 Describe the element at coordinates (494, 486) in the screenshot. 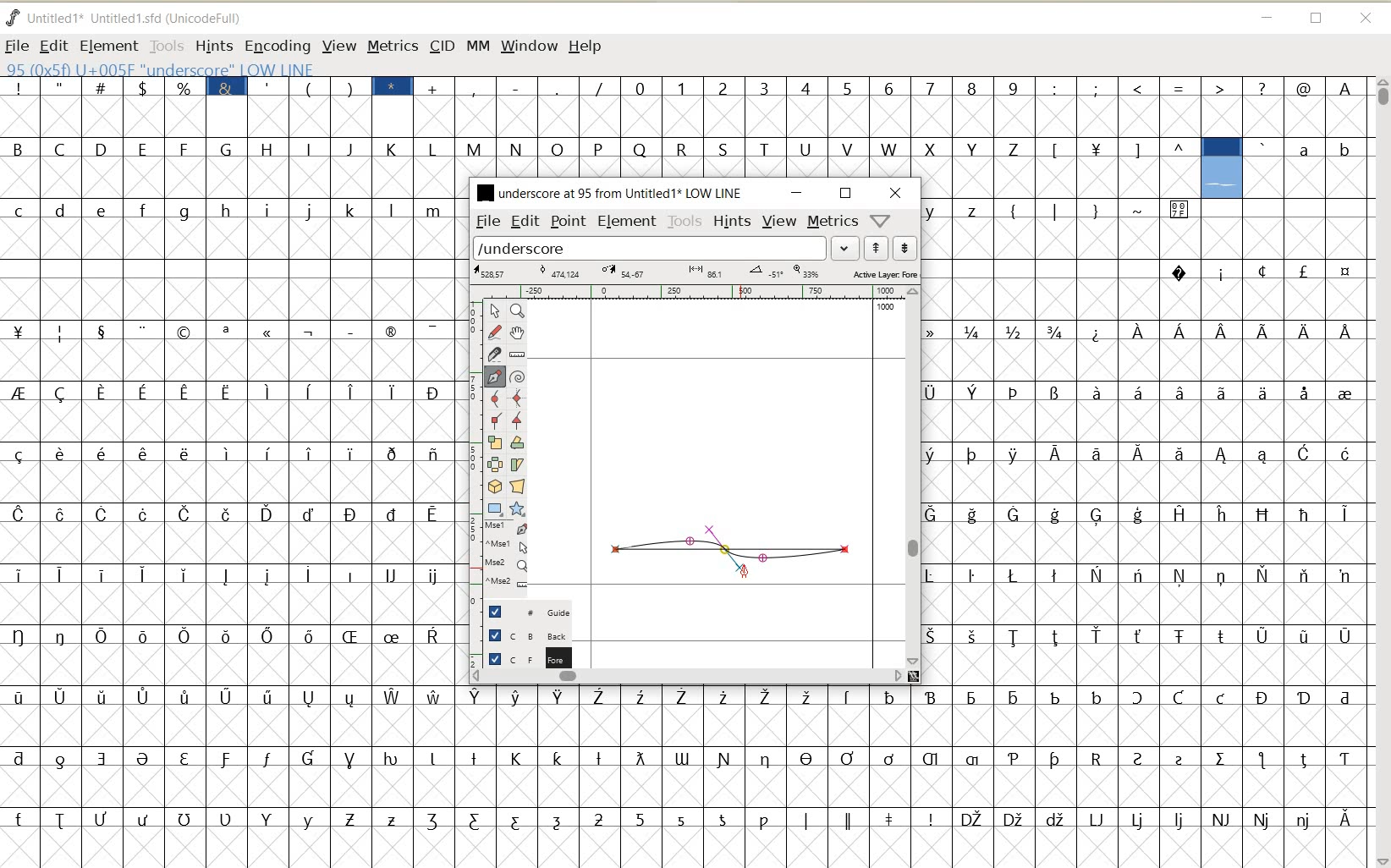

I see `rotate the selection in 3D and project back to plane` at that location.